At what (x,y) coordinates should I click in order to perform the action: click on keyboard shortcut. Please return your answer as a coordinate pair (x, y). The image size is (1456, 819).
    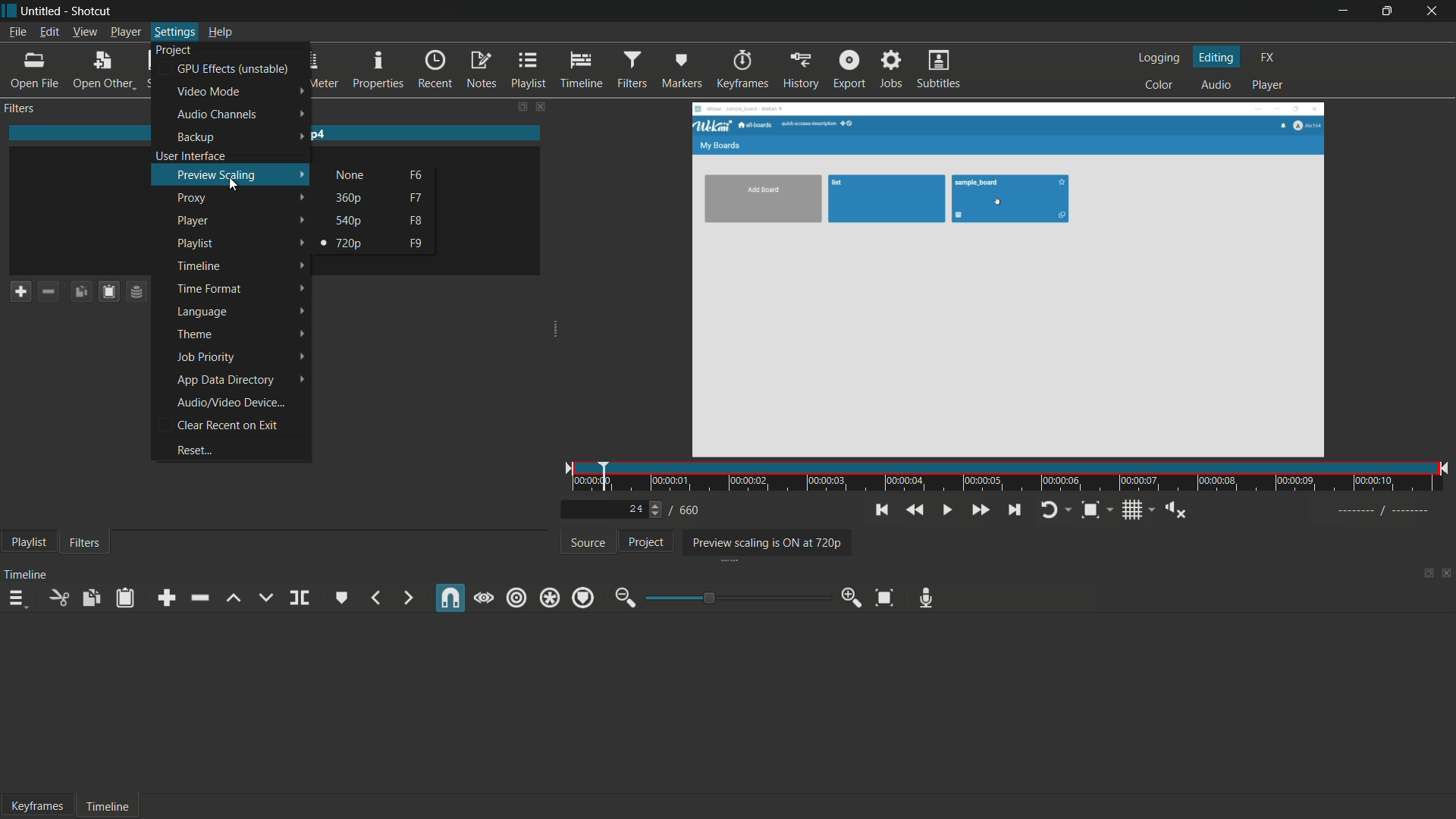
    Looking at the image, I should click on (416, 244).